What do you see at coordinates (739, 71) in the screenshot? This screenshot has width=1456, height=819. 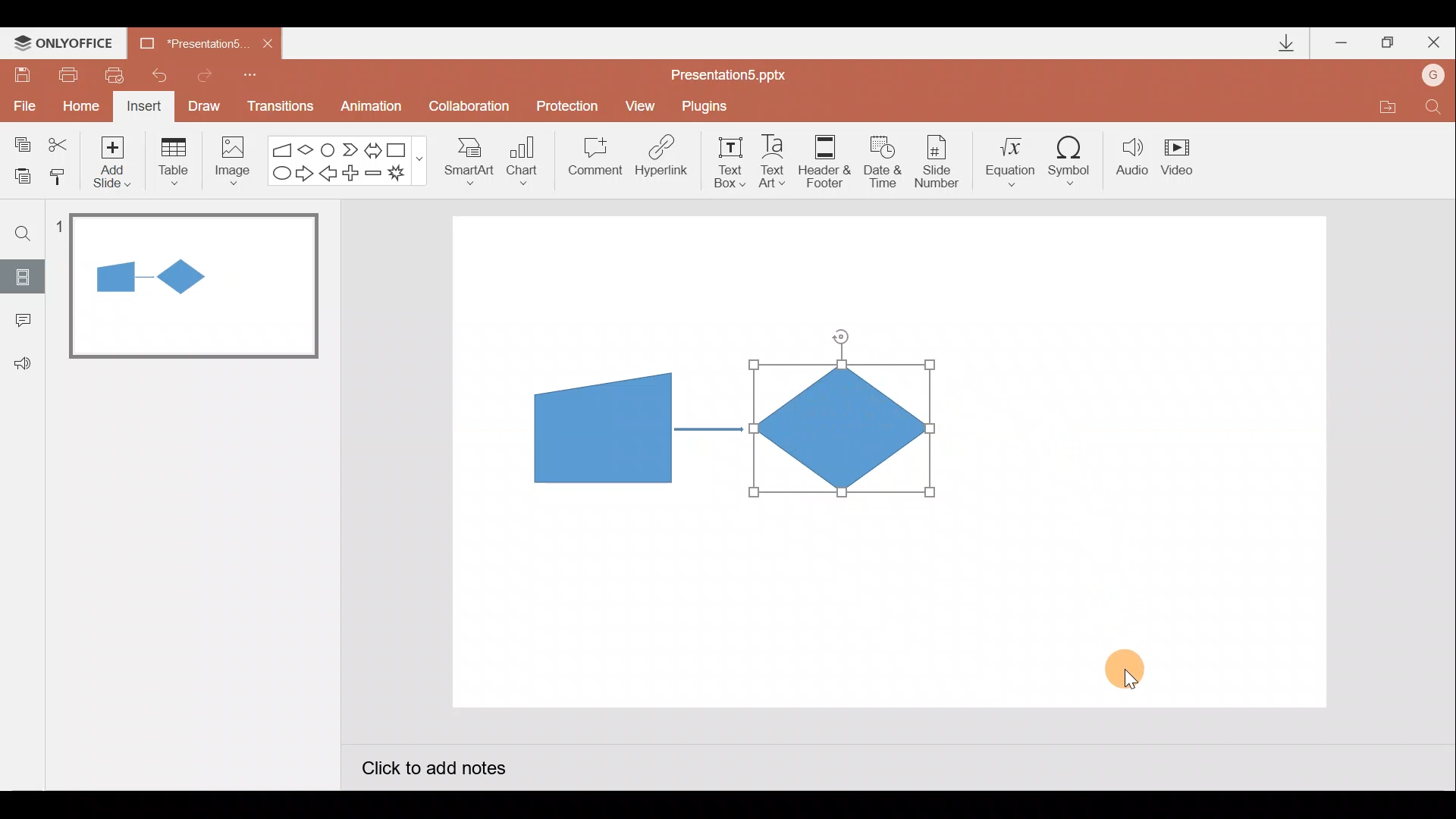 I see `Presentation5.pptx` at bounding box center [739, 71].